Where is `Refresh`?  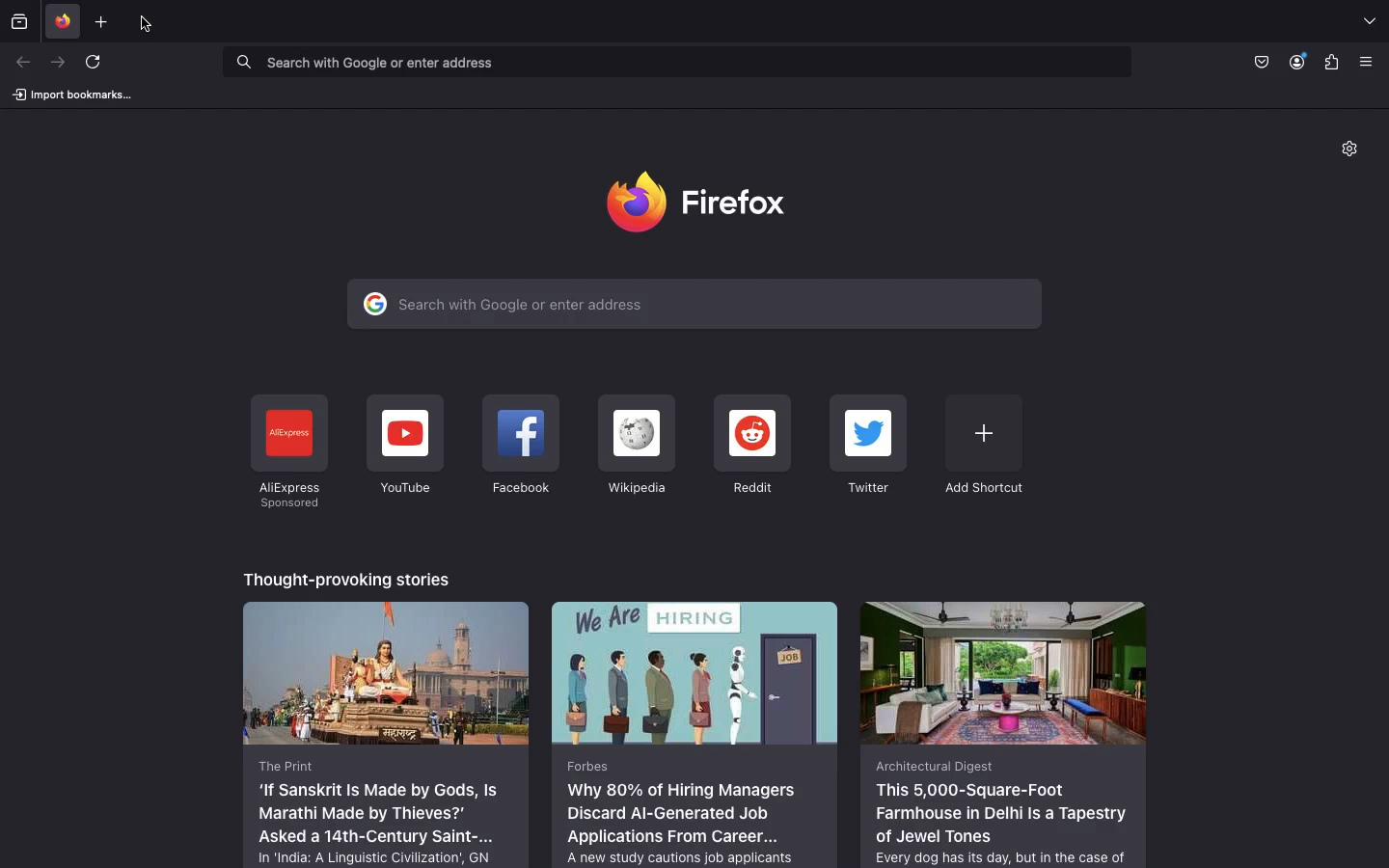
Refresh is located at coordinates (98, 66).